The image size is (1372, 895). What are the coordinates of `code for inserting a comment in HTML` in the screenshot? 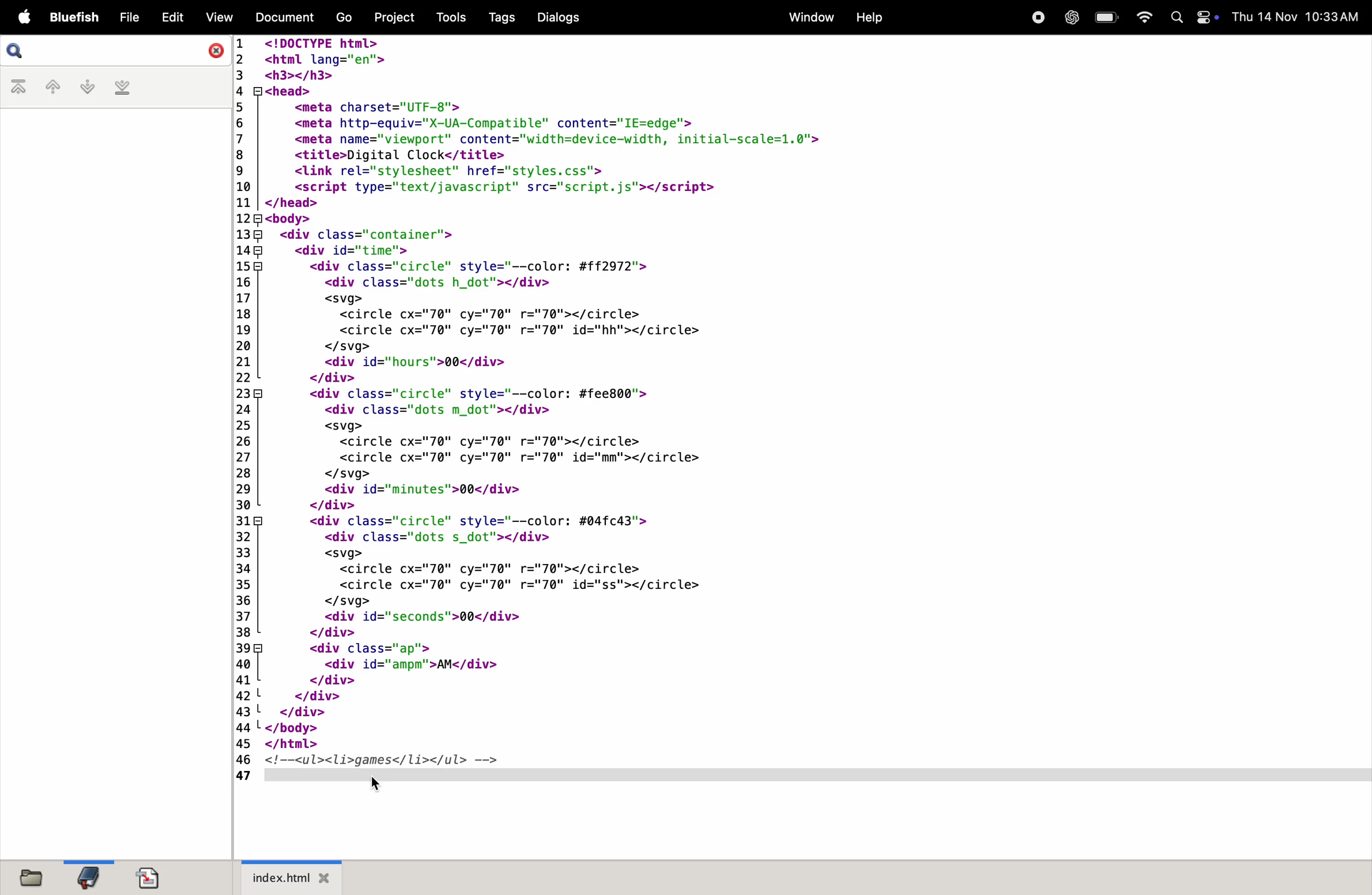 It's located at (661, 410).